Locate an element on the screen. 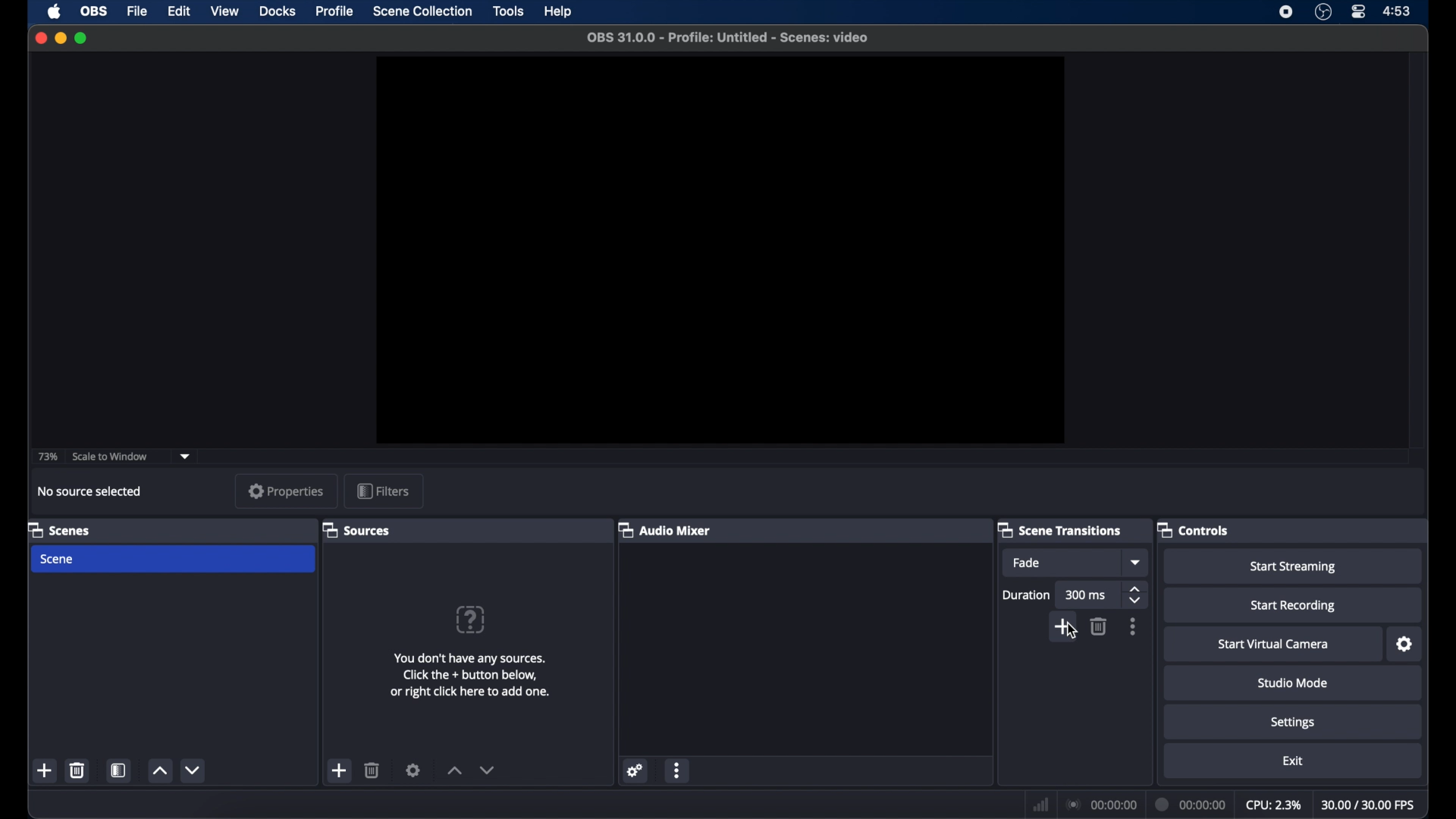  preview is located at coordinates (722, 250).